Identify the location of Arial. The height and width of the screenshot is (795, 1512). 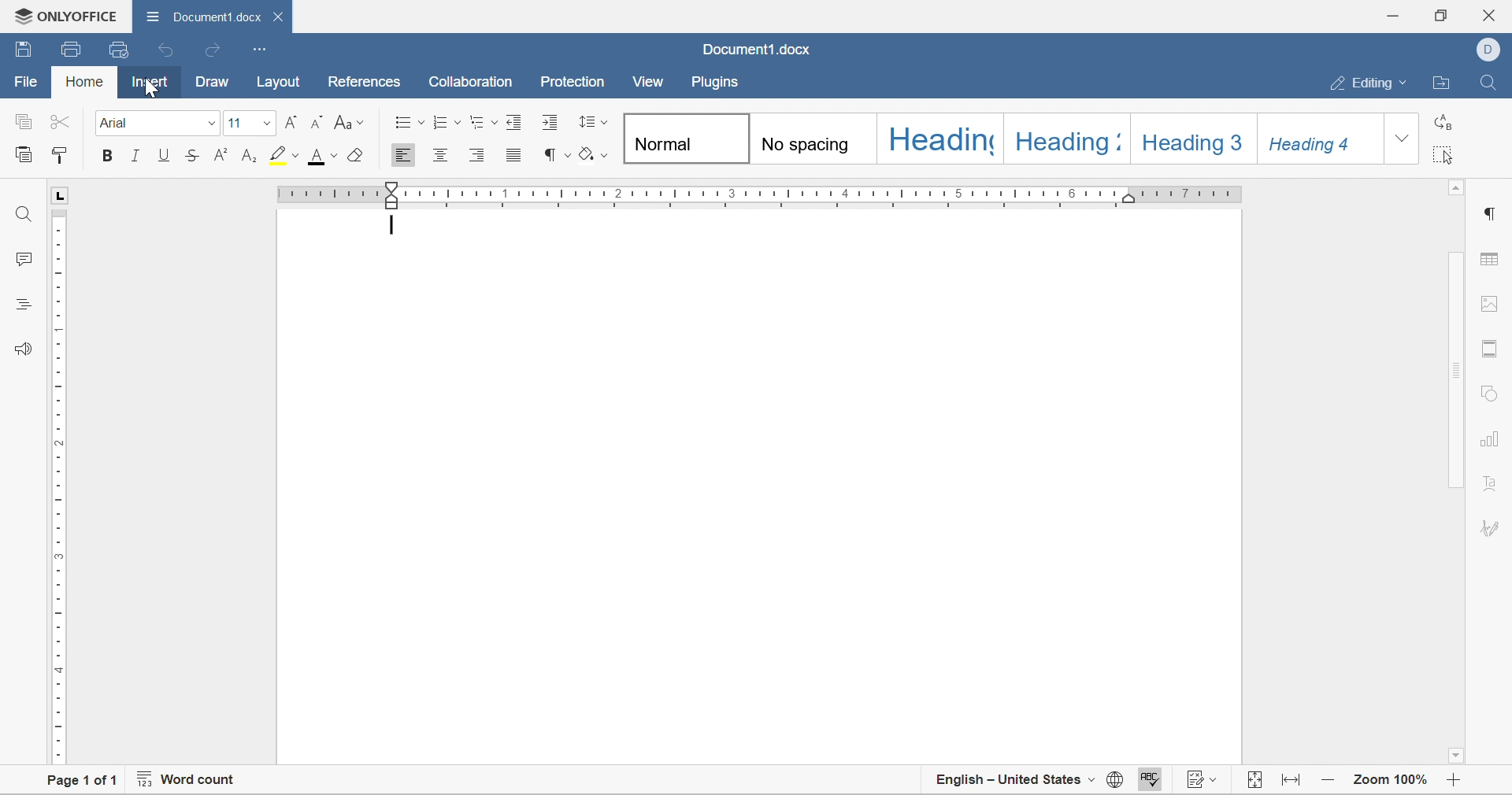
(159, 124).